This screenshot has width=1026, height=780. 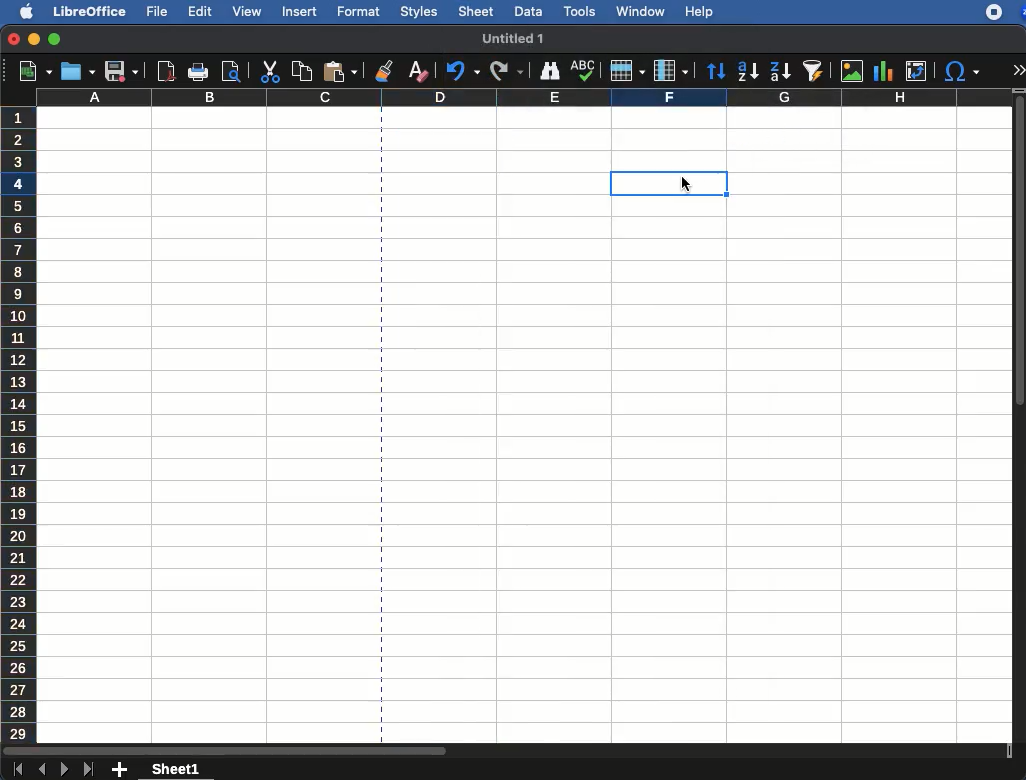 I want to click on libreoffice, so click(x=87, y=10).